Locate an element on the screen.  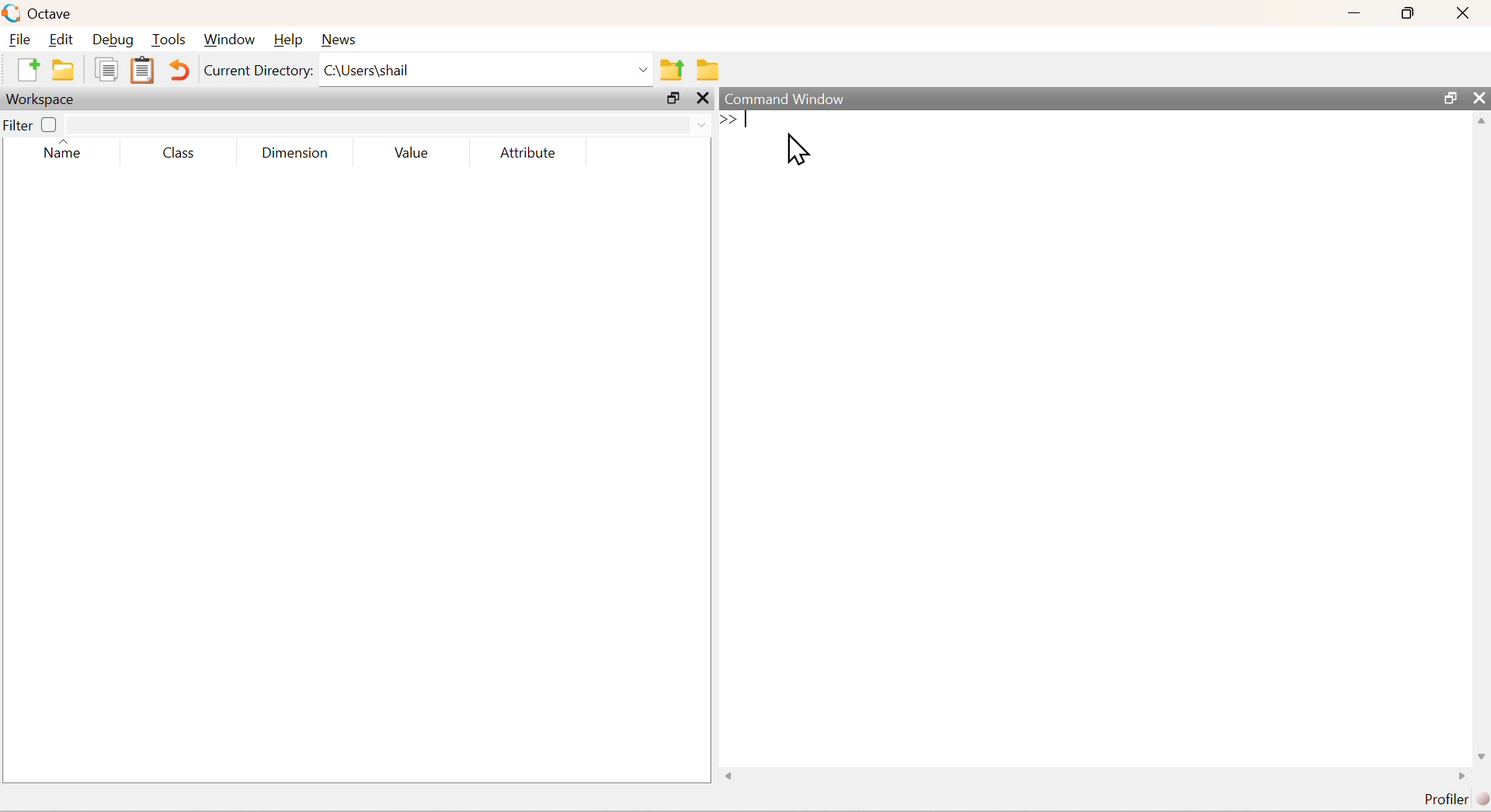
Tap text is located at coordinates (749, 121).